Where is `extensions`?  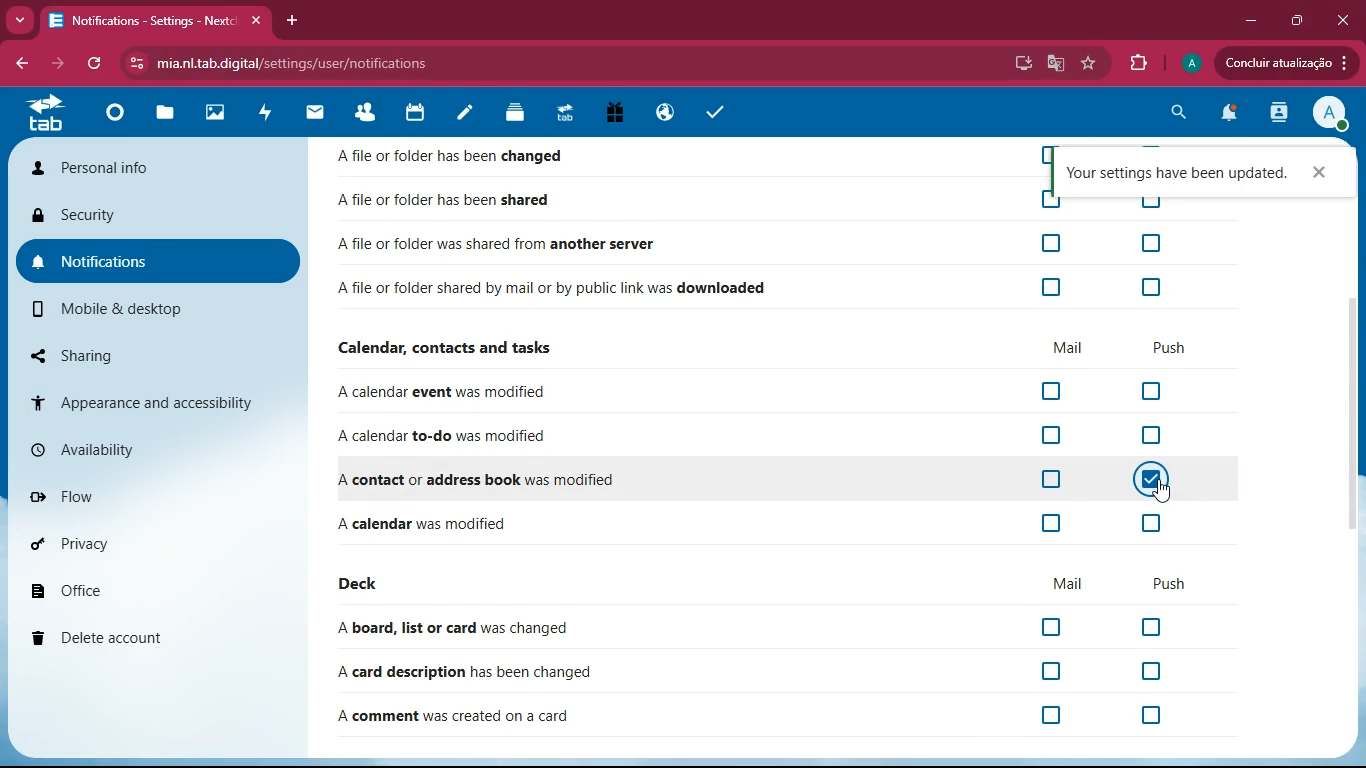
extensions is located at coordinates (1141, 64).